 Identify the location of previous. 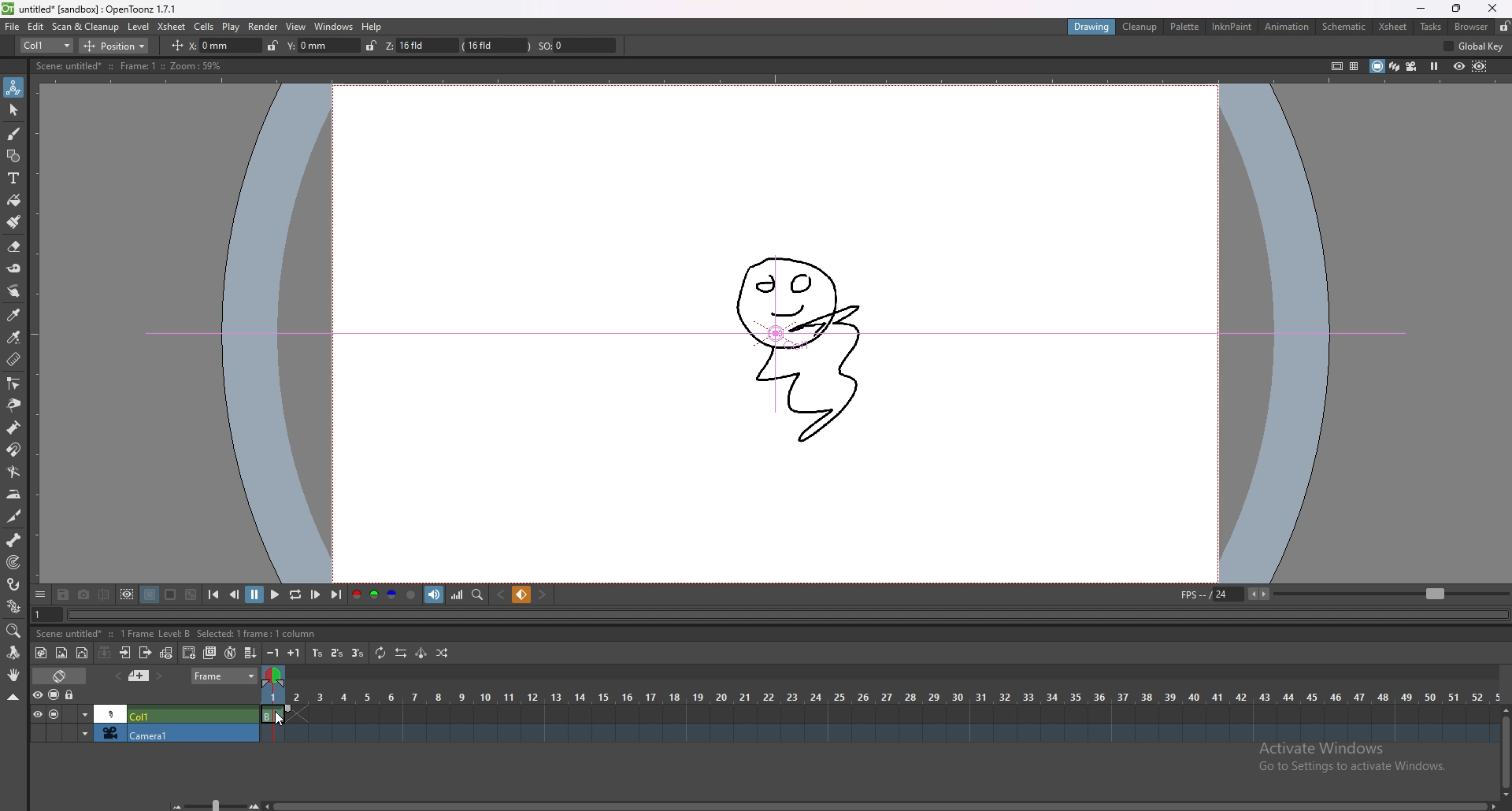
(235, 595).